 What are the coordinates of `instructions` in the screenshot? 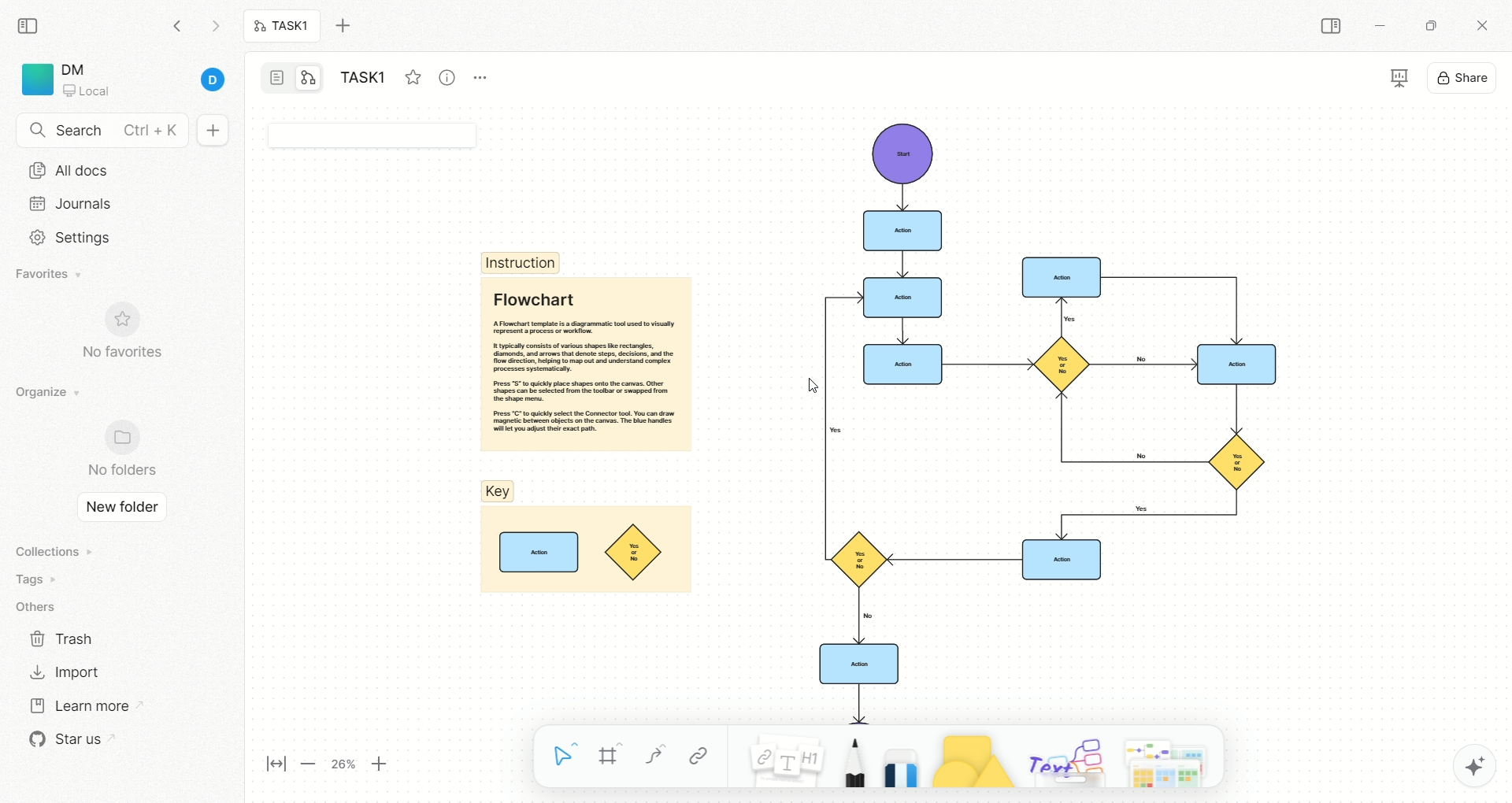 It's located at (521, 262).